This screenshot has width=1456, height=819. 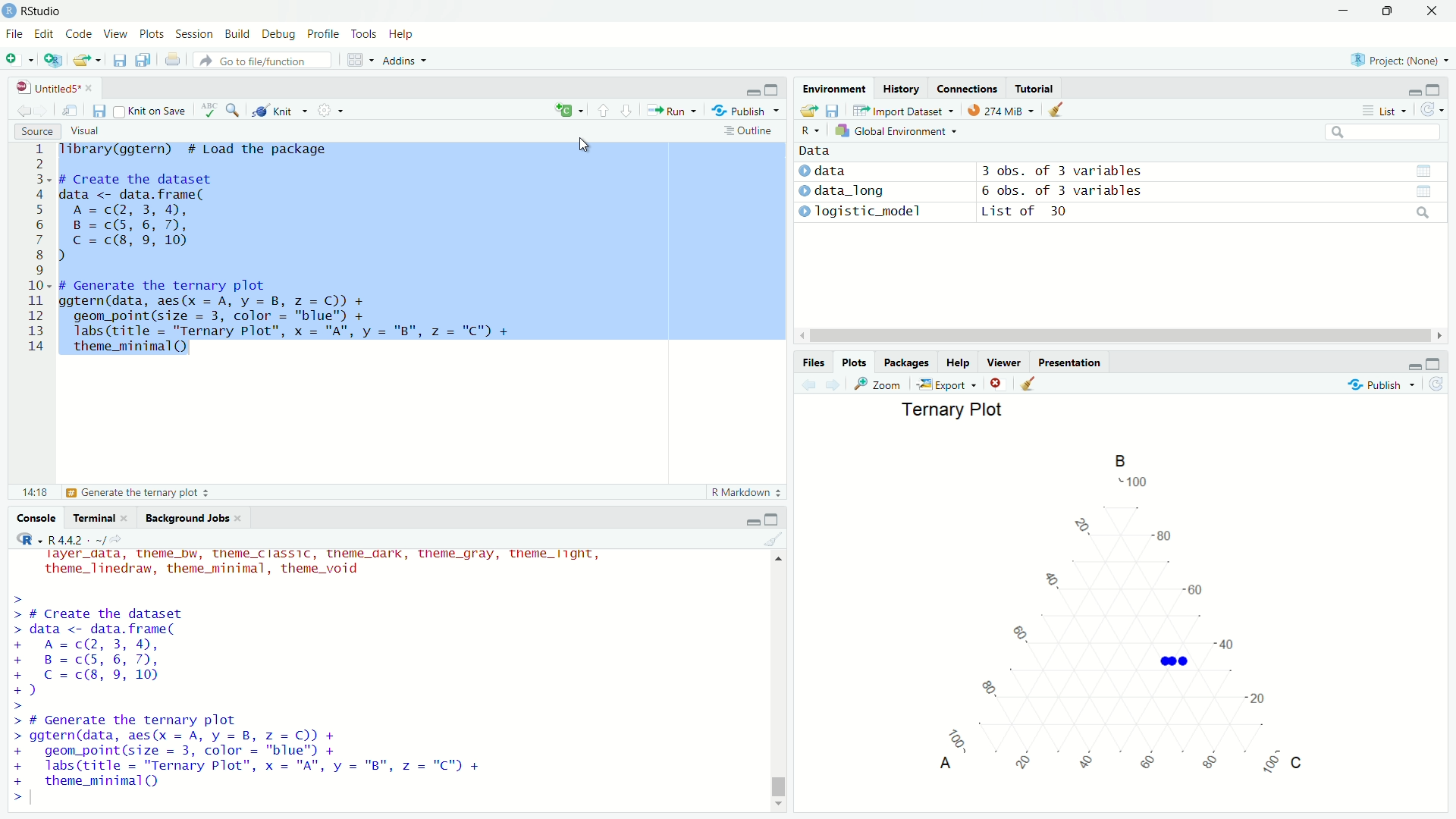 What do you see at coordinates (1432, 112) in the screenshot?
I see `refresh` at bounding box center [1432, 112].